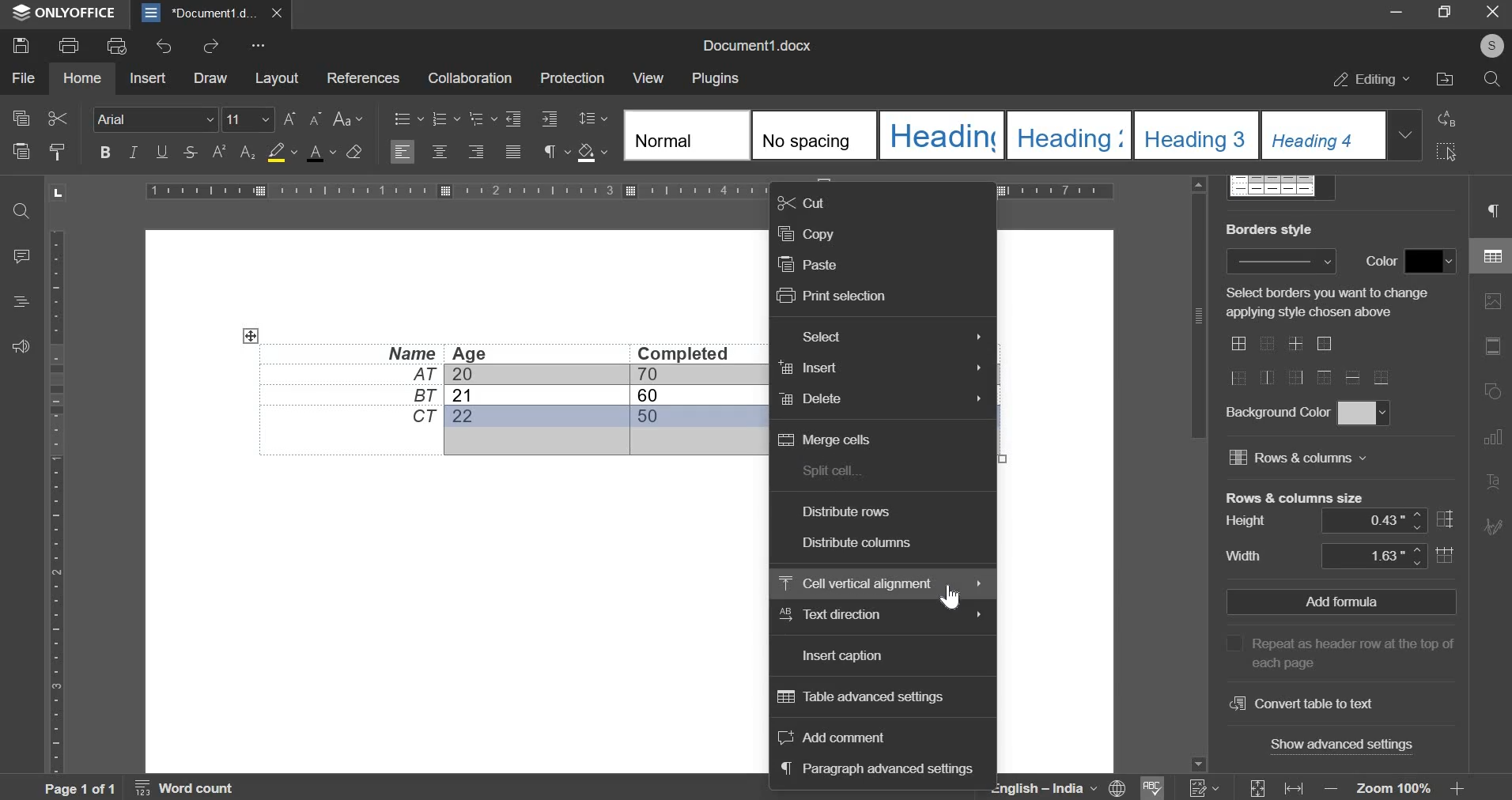  Describe the element at coordinates (1372, 79) in the screenshot. I see `editing` at that location.